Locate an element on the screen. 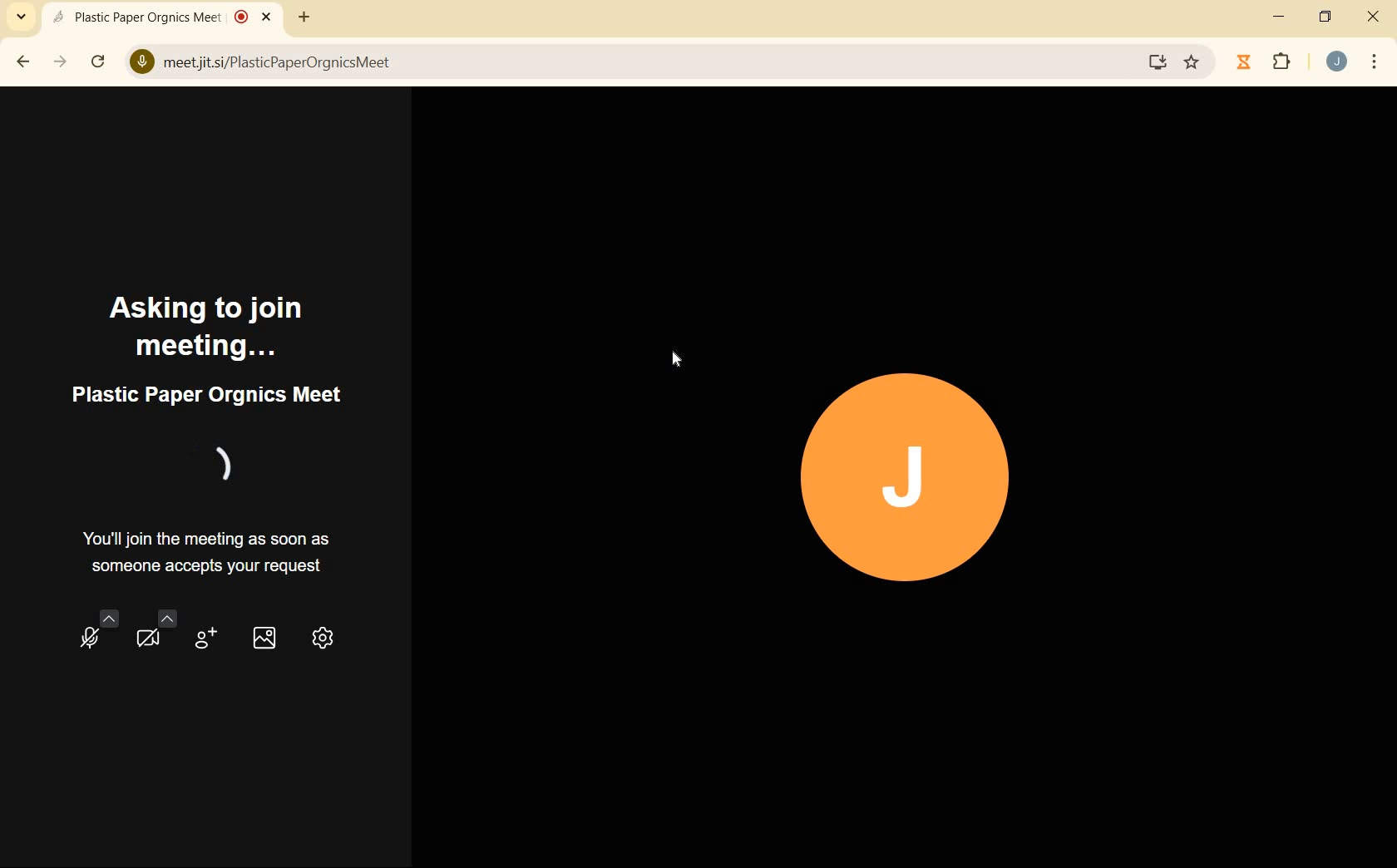  minimize is located at coordinates (1281, 17).